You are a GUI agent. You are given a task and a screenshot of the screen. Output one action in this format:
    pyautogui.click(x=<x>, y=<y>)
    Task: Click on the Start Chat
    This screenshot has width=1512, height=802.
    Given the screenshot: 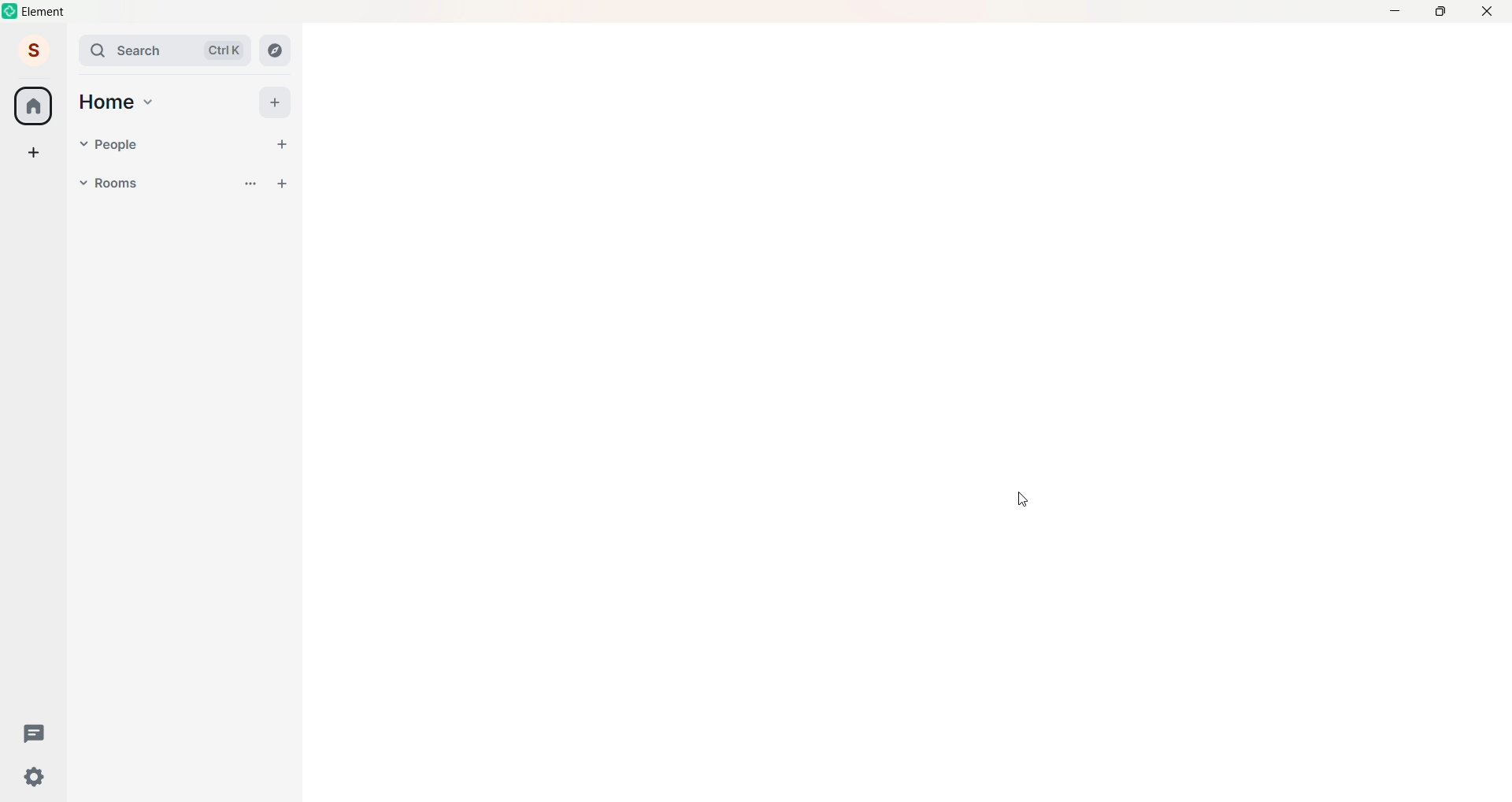 What is the action you would take?
    pyautogui.click(x=283, y=145)
    